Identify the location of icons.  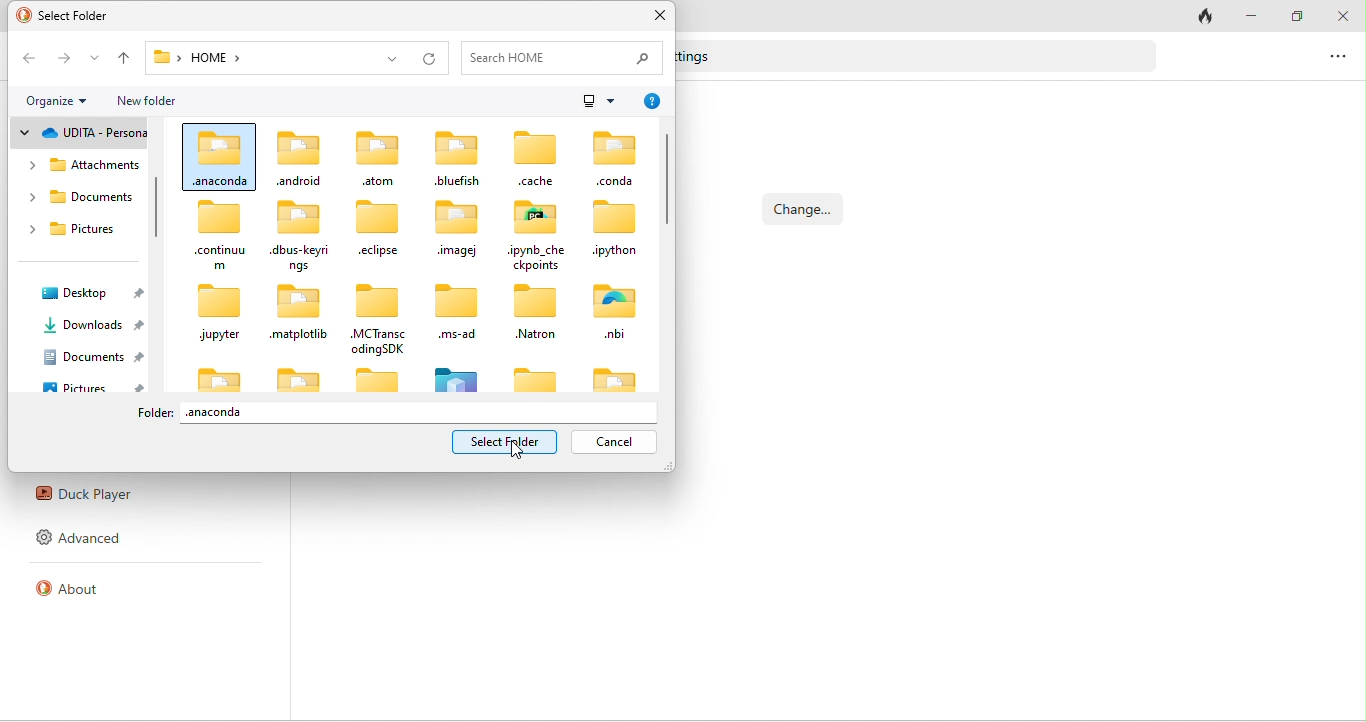
(416, 380).